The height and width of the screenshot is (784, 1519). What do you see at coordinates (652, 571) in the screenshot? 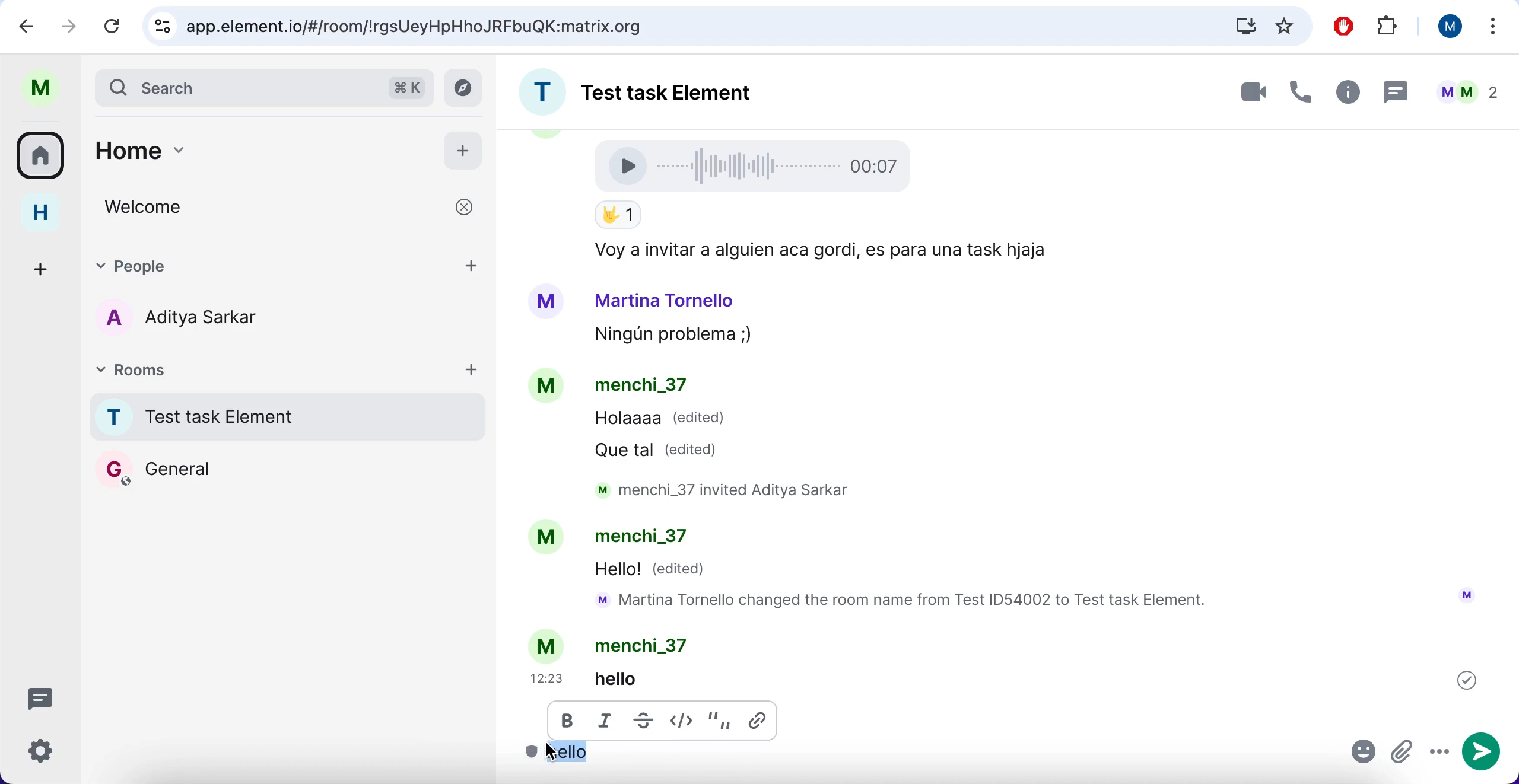
I see `Hello! (edited)` at bounding box center [652, 571].